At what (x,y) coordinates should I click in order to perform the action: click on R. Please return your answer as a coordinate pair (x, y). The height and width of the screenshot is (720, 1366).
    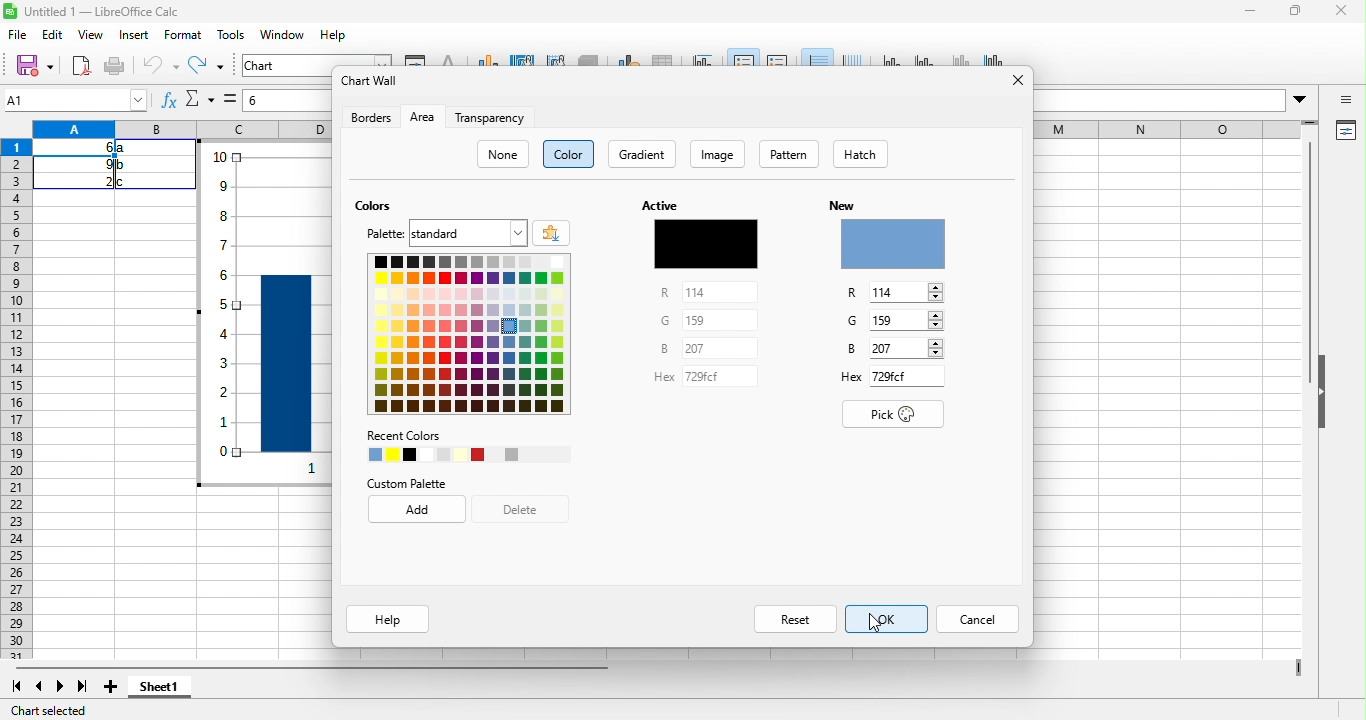
    Looking at the image, I should click on (665, 296).